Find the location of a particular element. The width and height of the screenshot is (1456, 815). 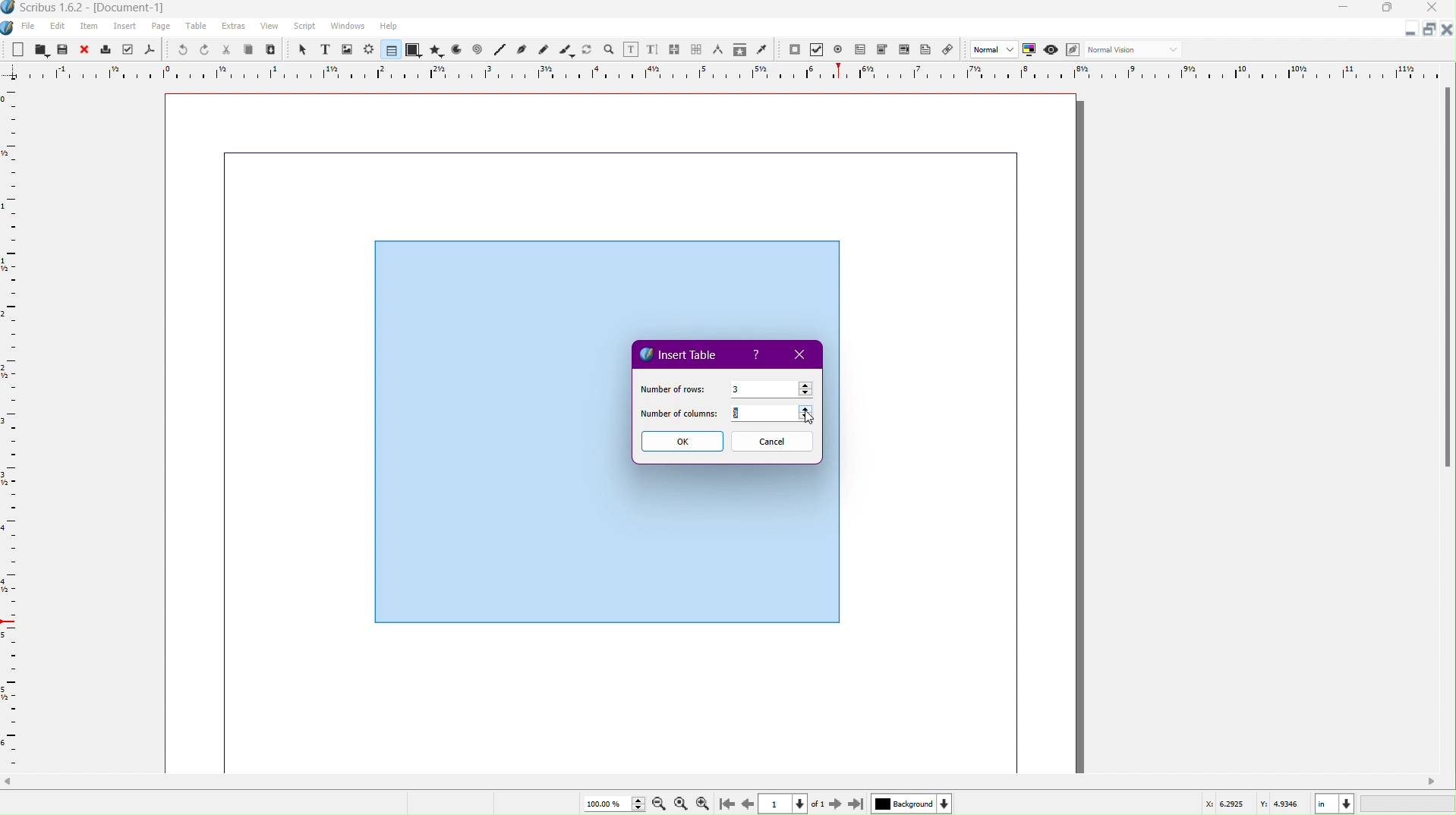

Zoom Out is located at coordinates (656, 804).